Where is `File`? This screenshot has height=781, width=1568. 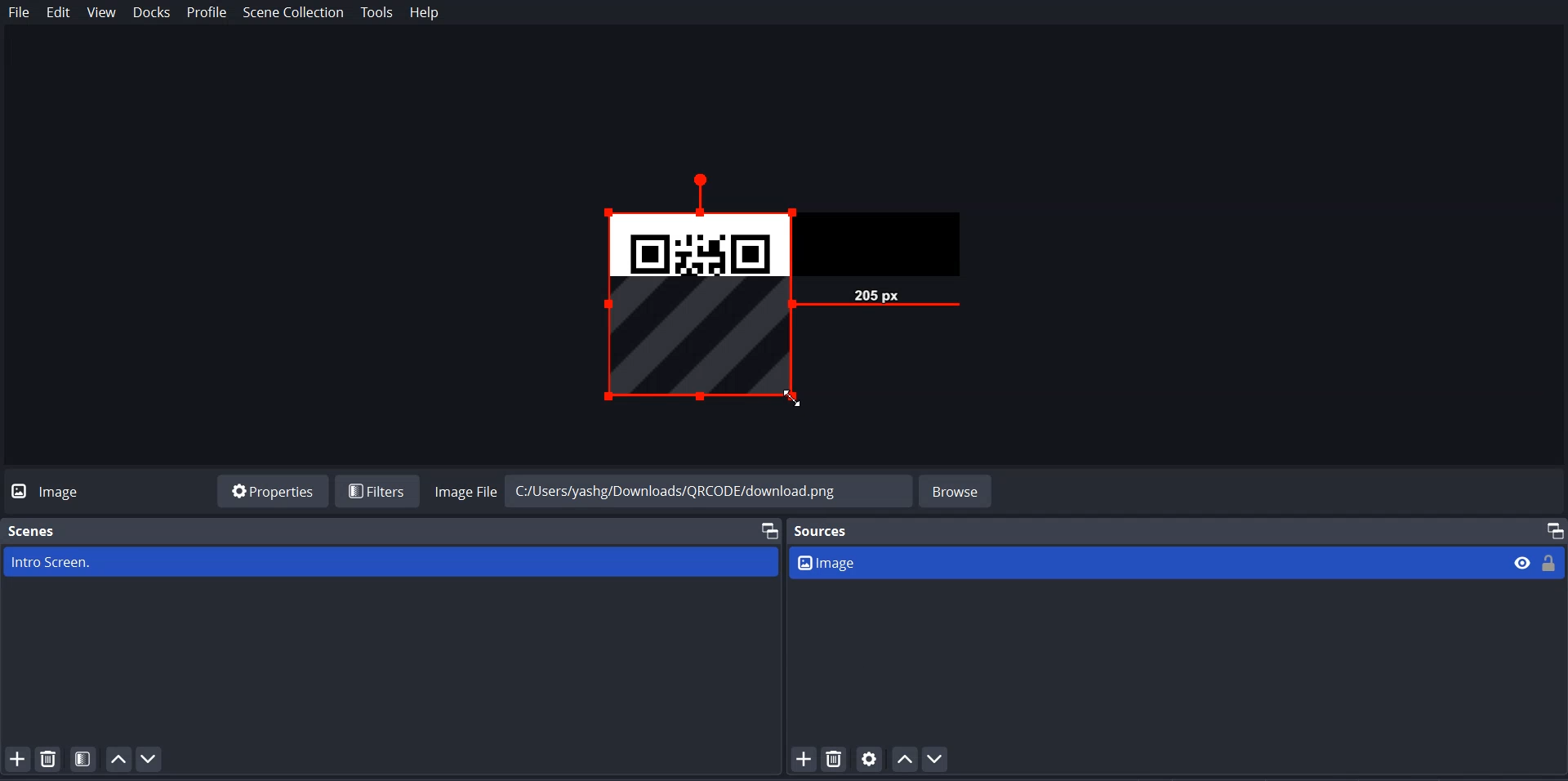 File is located at coordinates (19, 13).